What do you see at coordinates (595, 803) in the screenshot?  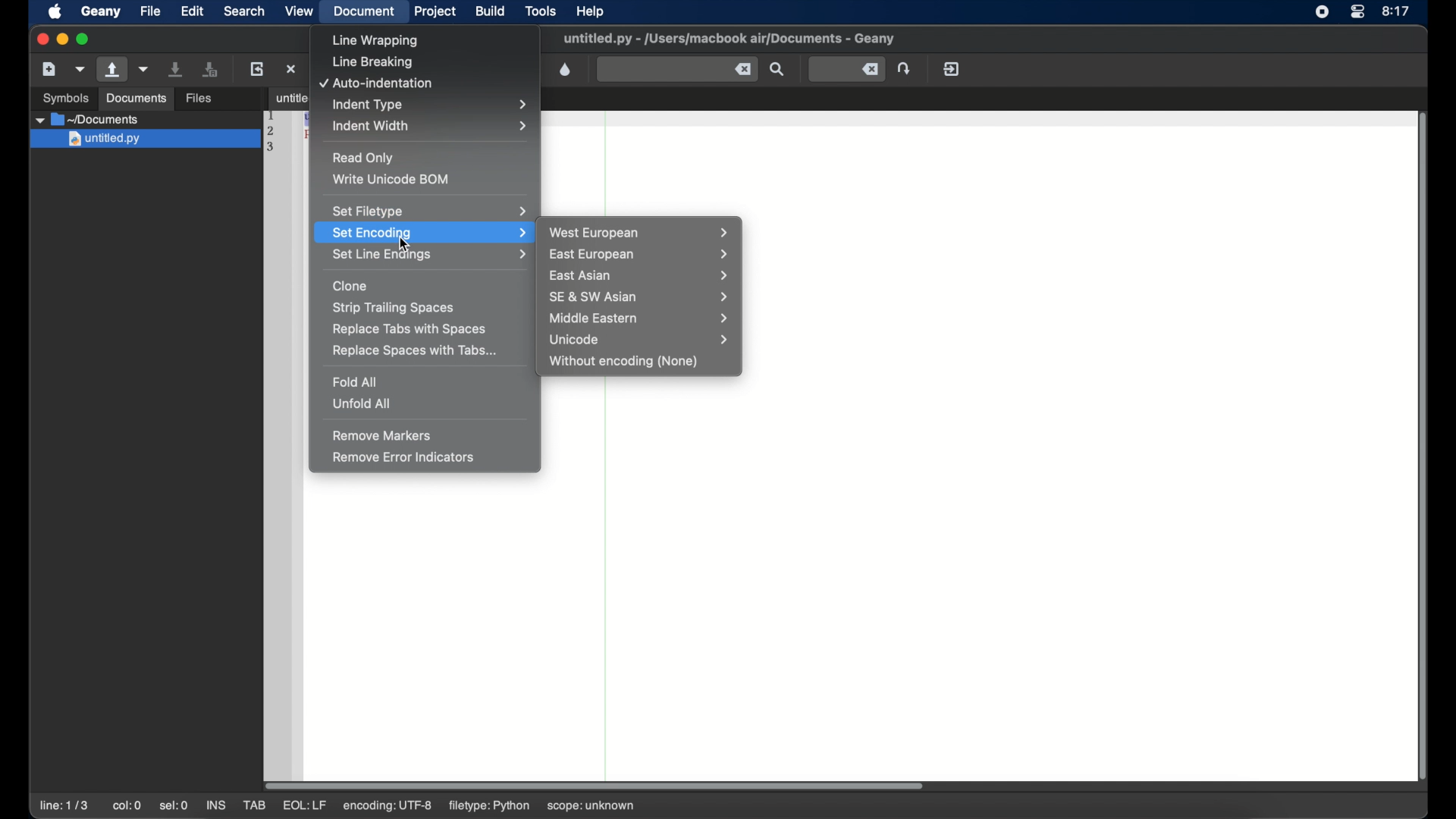 I see `scope: unknown` at bounding box center [595, 803].